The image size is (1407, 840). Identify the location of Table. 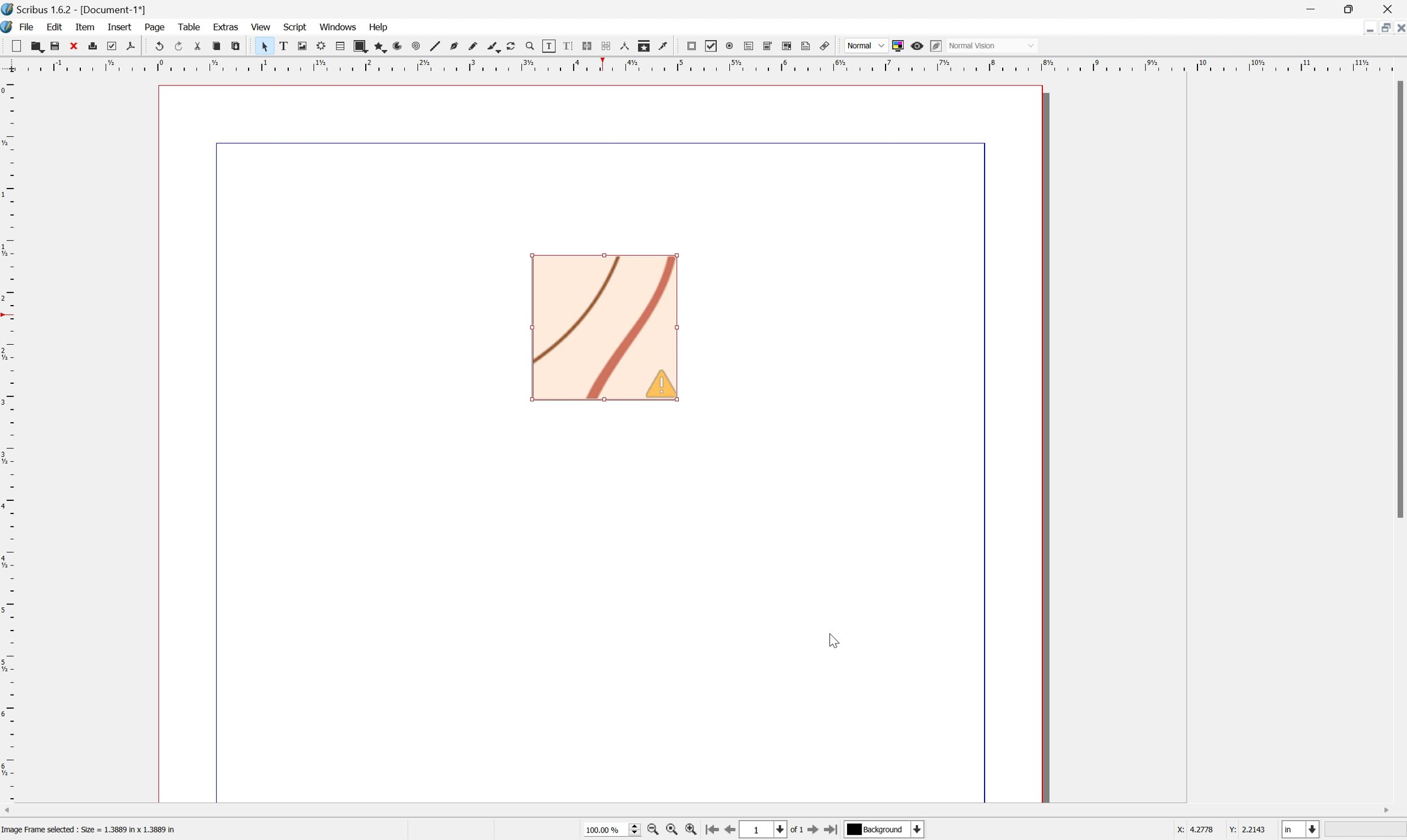
(340, 46).